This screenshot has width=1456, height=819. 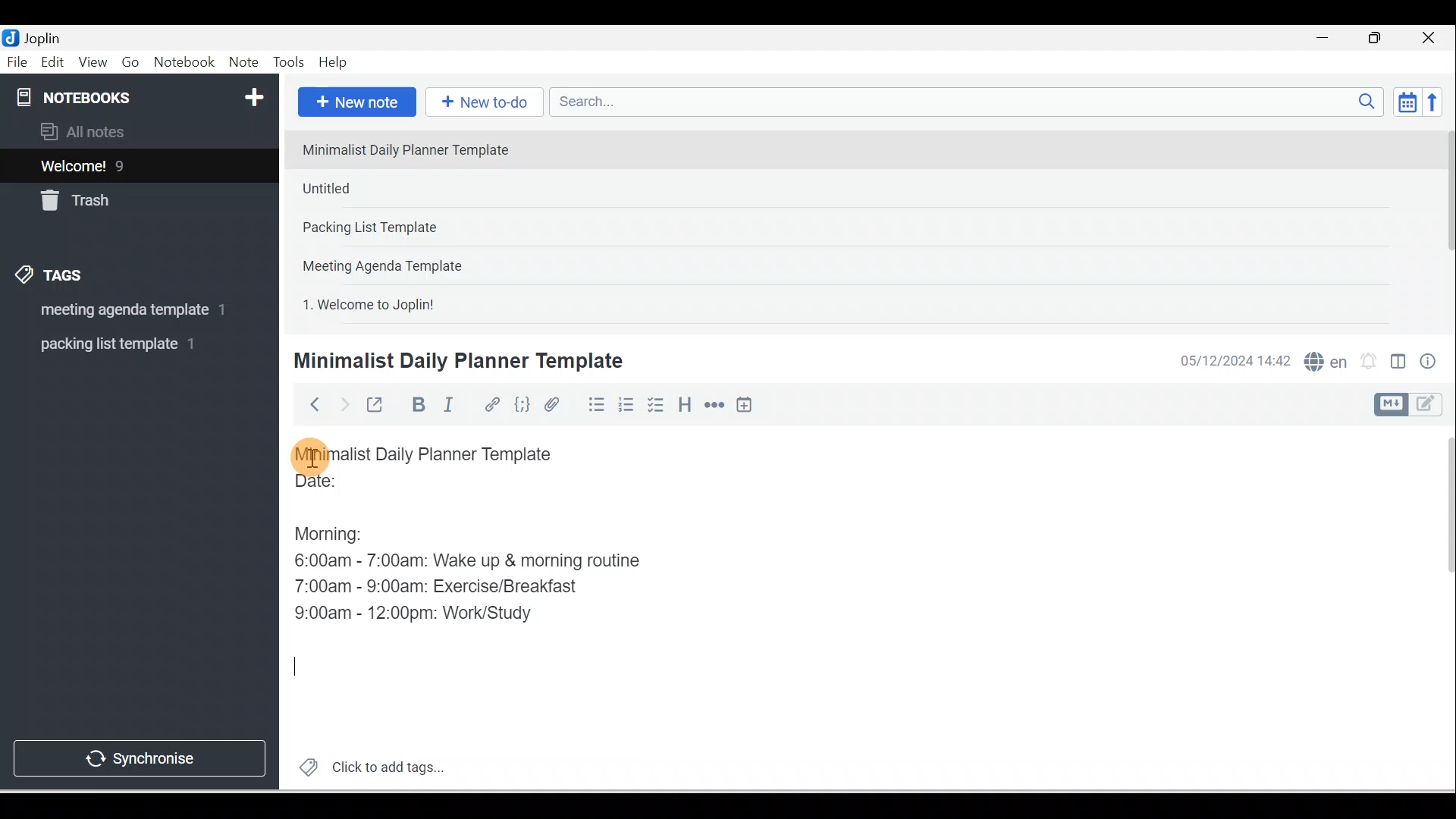 What do you see at coordinates (311, 455) in the screenshot?
I see `Cursor` at bounding box center [311, 455].